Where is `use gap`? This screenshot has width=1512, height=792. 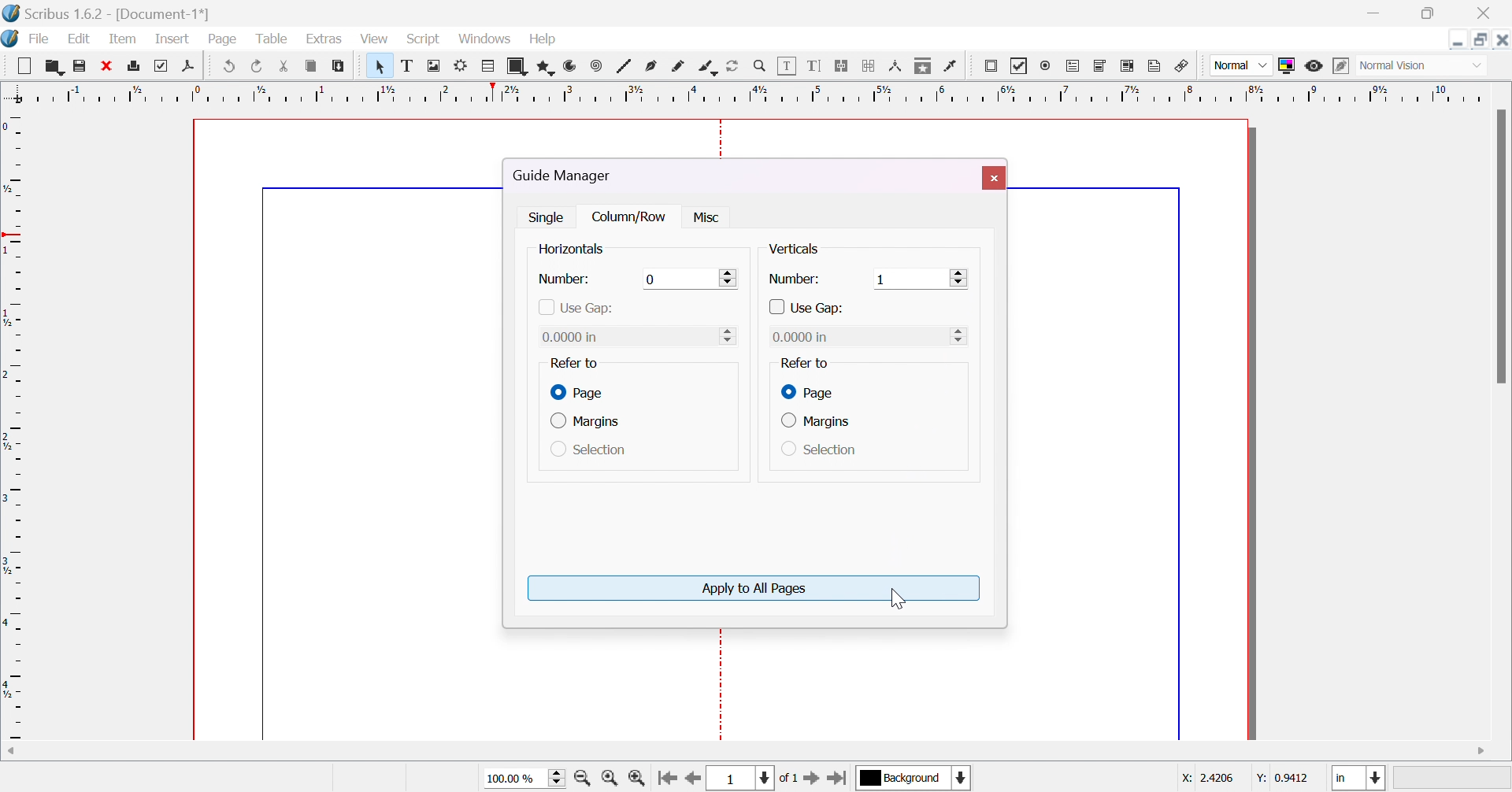 use gap is located at coordinates (575, 308).